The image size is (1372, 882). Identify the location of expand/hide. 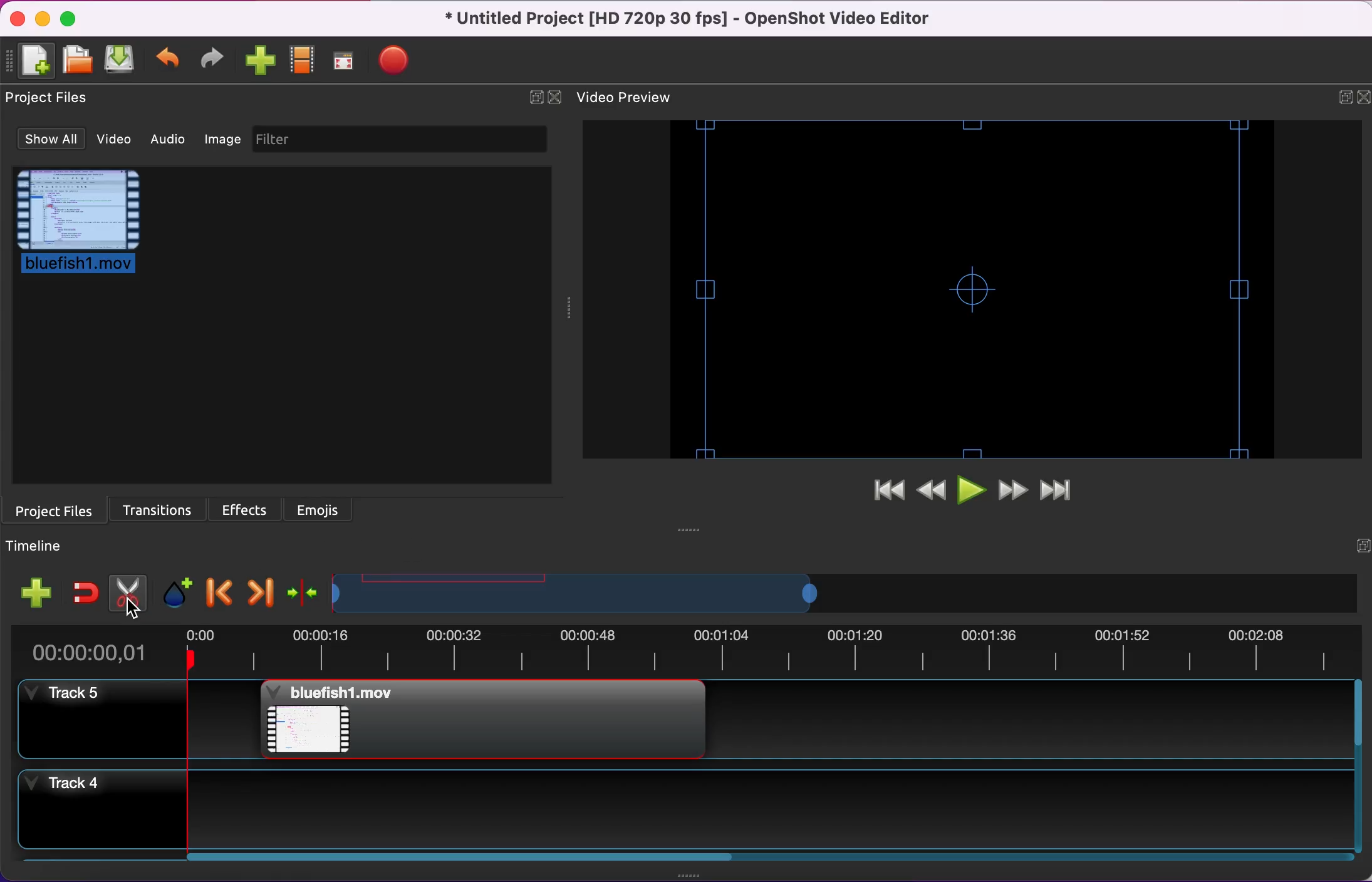
(534, 96).